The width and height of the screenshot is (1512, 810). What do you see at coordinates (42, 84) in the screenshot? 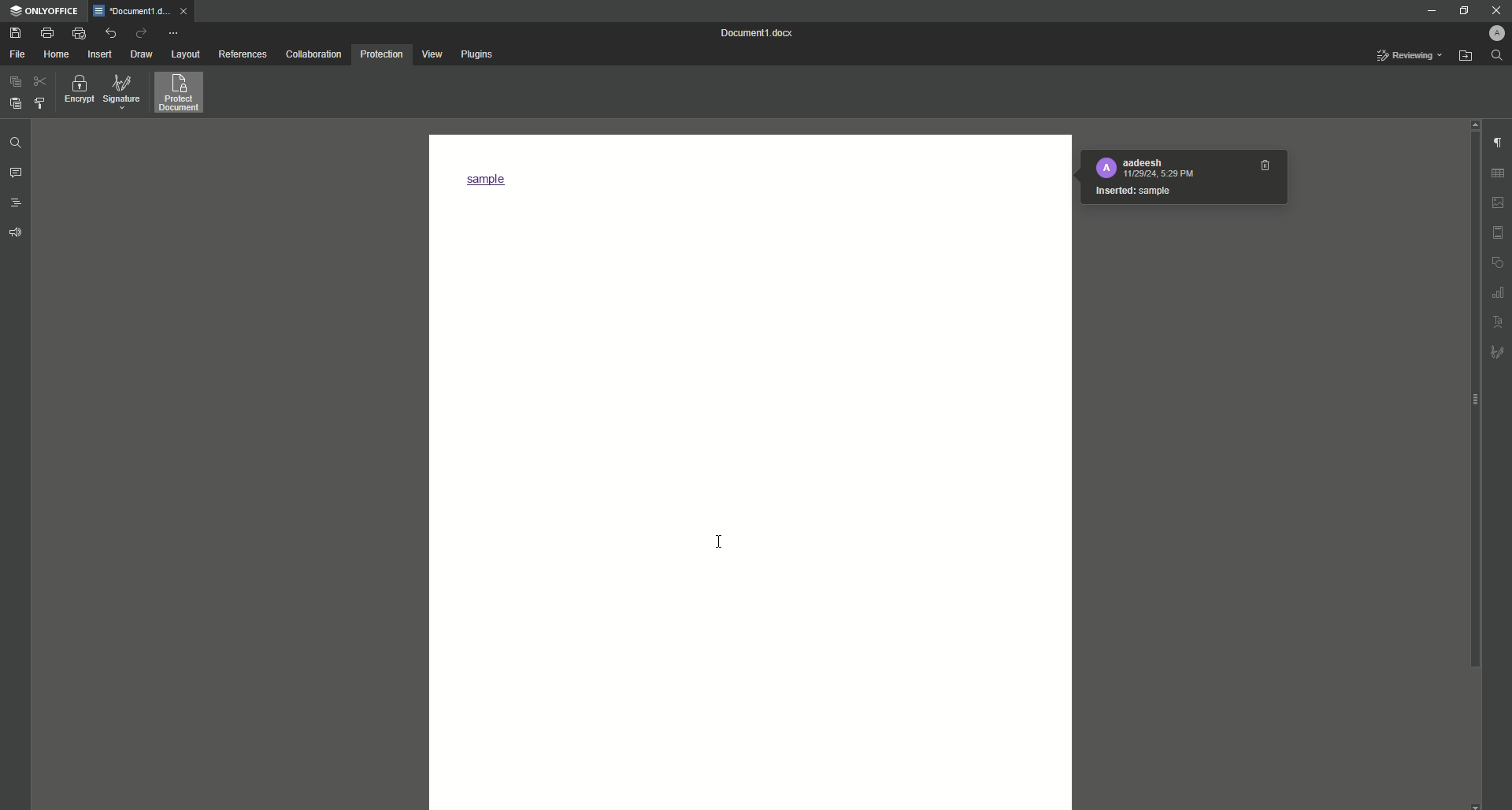
I see `Cut` at bounding box center [42, 84].